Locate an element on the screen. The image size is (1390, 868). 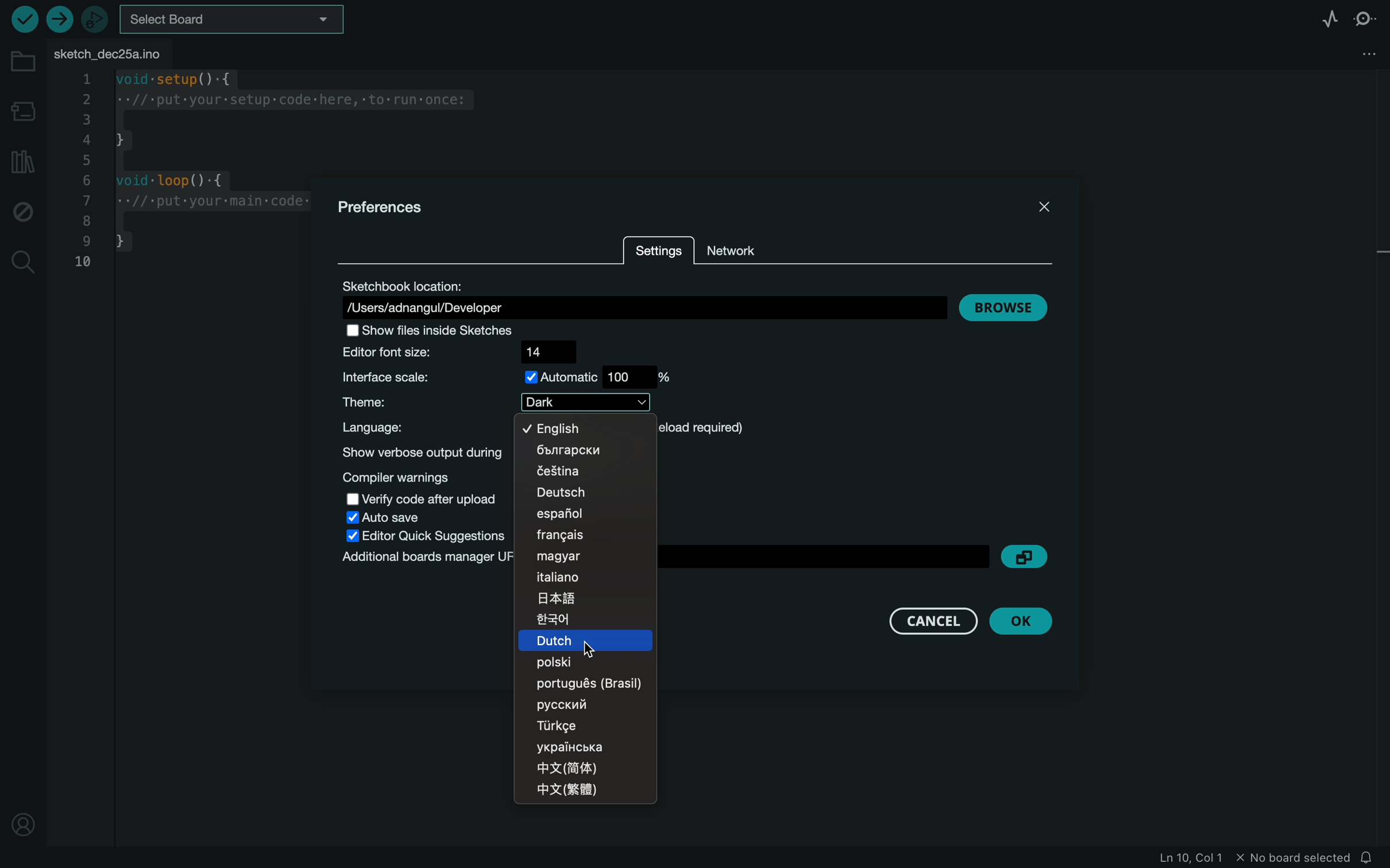
language is located at coordinates (412, 428).